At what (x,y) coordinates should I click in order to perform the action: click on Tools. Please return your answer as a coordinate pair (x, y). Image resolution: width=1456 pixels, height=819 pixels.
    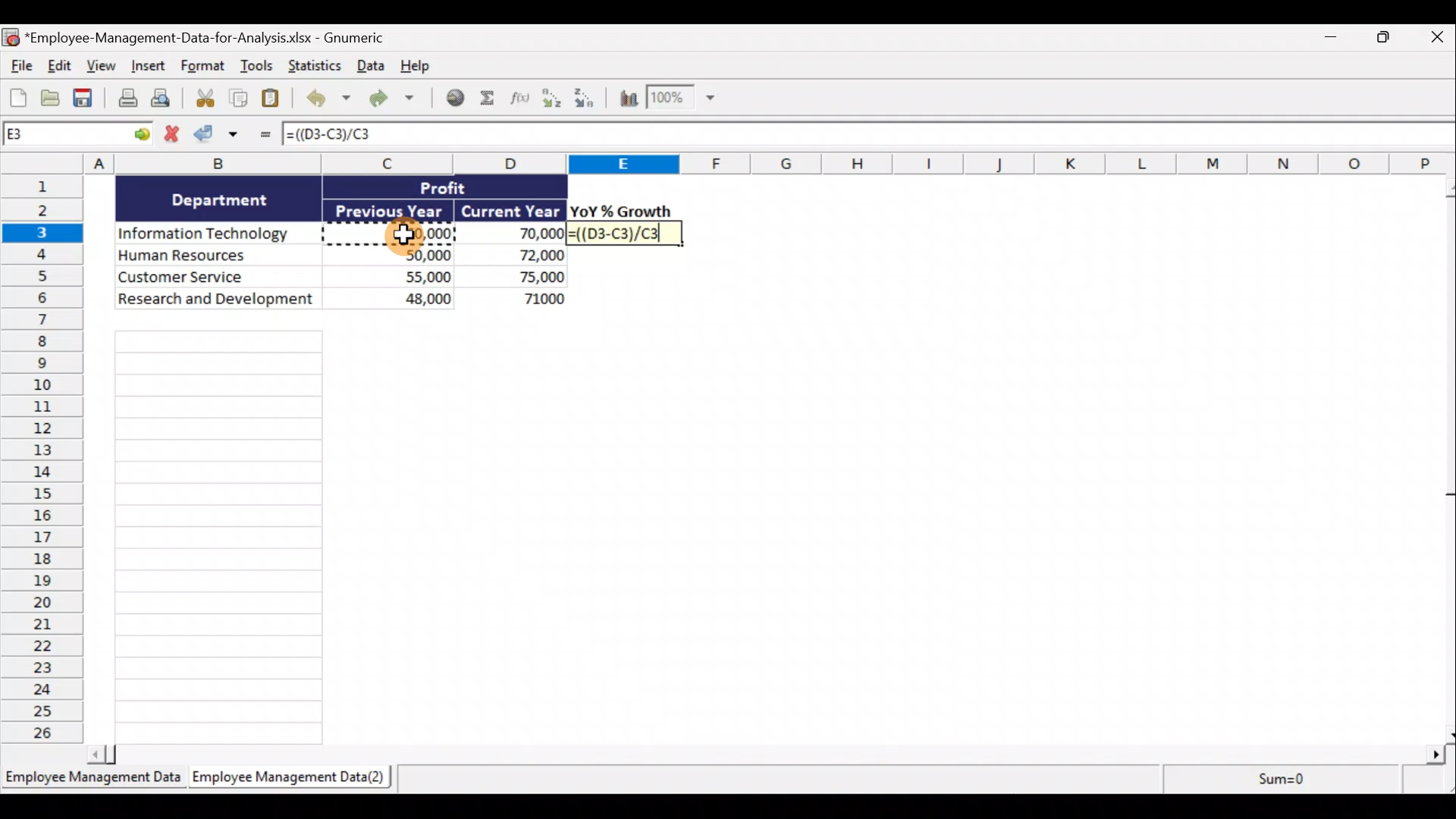
    Looking at the image, I should click on (259, 68).